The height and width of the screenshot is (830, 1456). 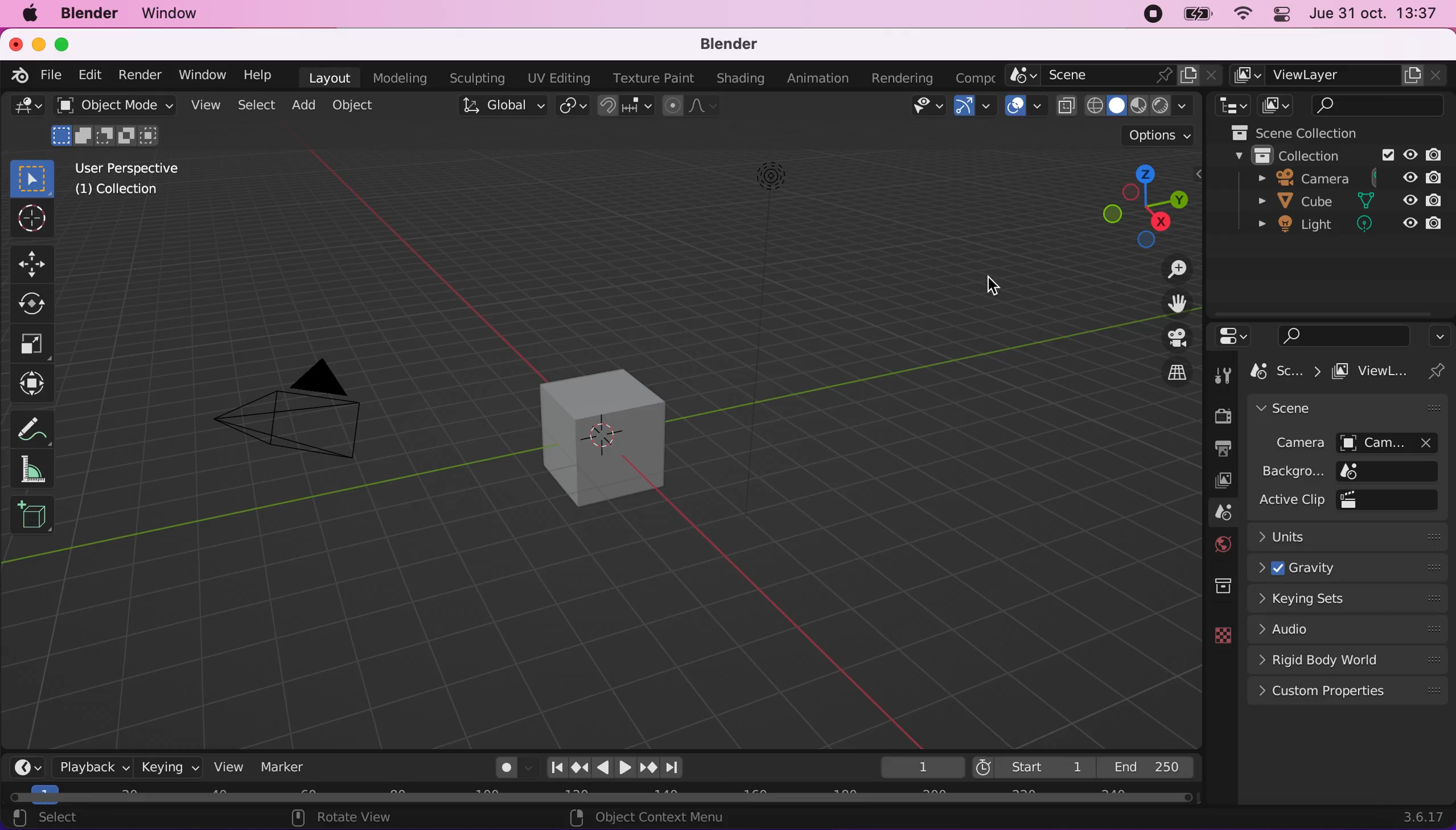 I want to click on gravity, so click(x=1348, y=567).